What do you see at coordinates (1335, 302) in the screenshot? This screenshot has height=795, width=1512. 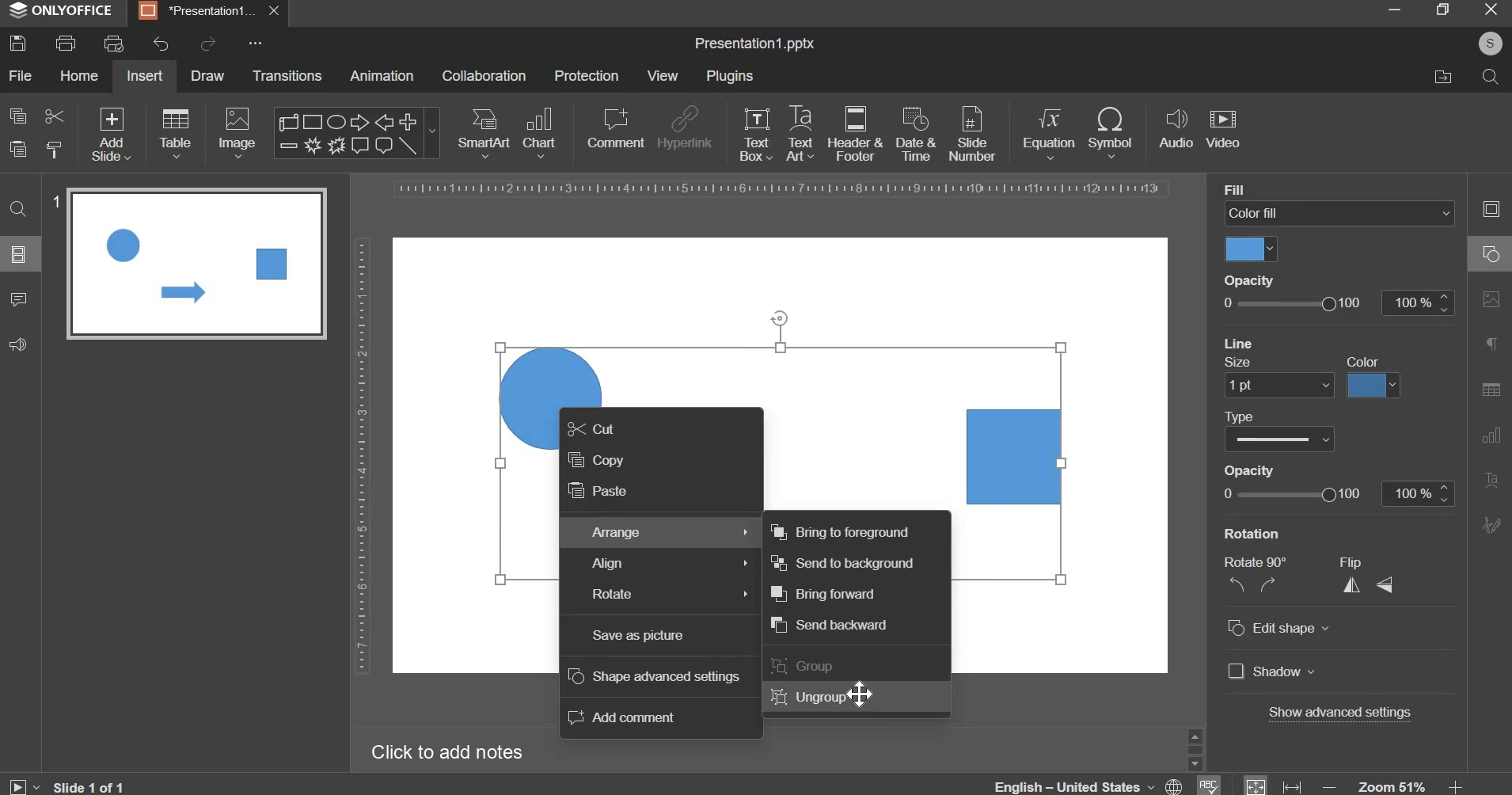 I see `opacity` at bounding box center [1335, 302].